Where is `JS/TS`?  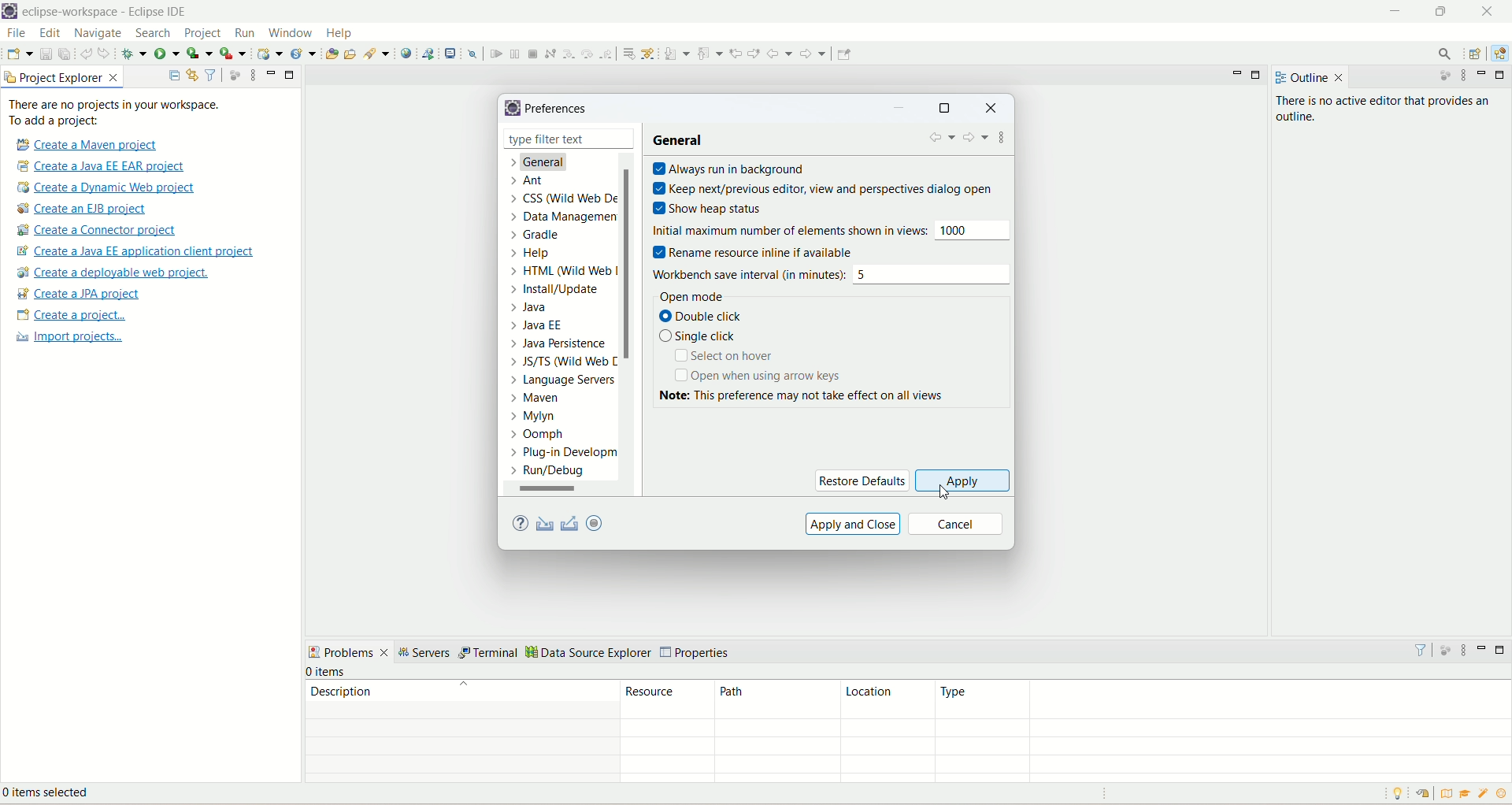 JS/TS is located at coordinates (558, 365).